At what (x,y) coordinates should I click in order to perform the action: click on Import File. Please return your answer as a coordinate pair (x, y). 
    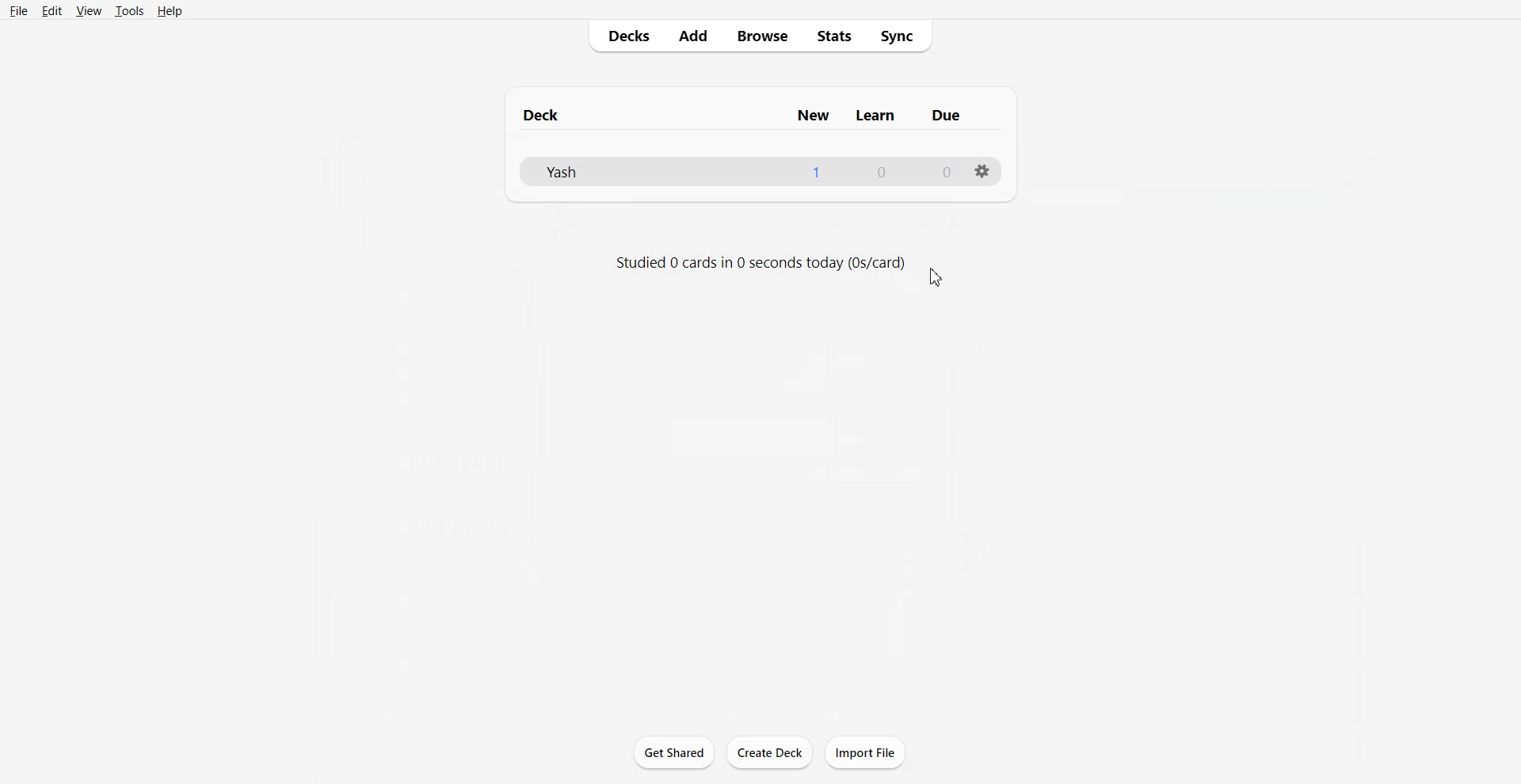
    Looking at the image, I should click on (865, 752).